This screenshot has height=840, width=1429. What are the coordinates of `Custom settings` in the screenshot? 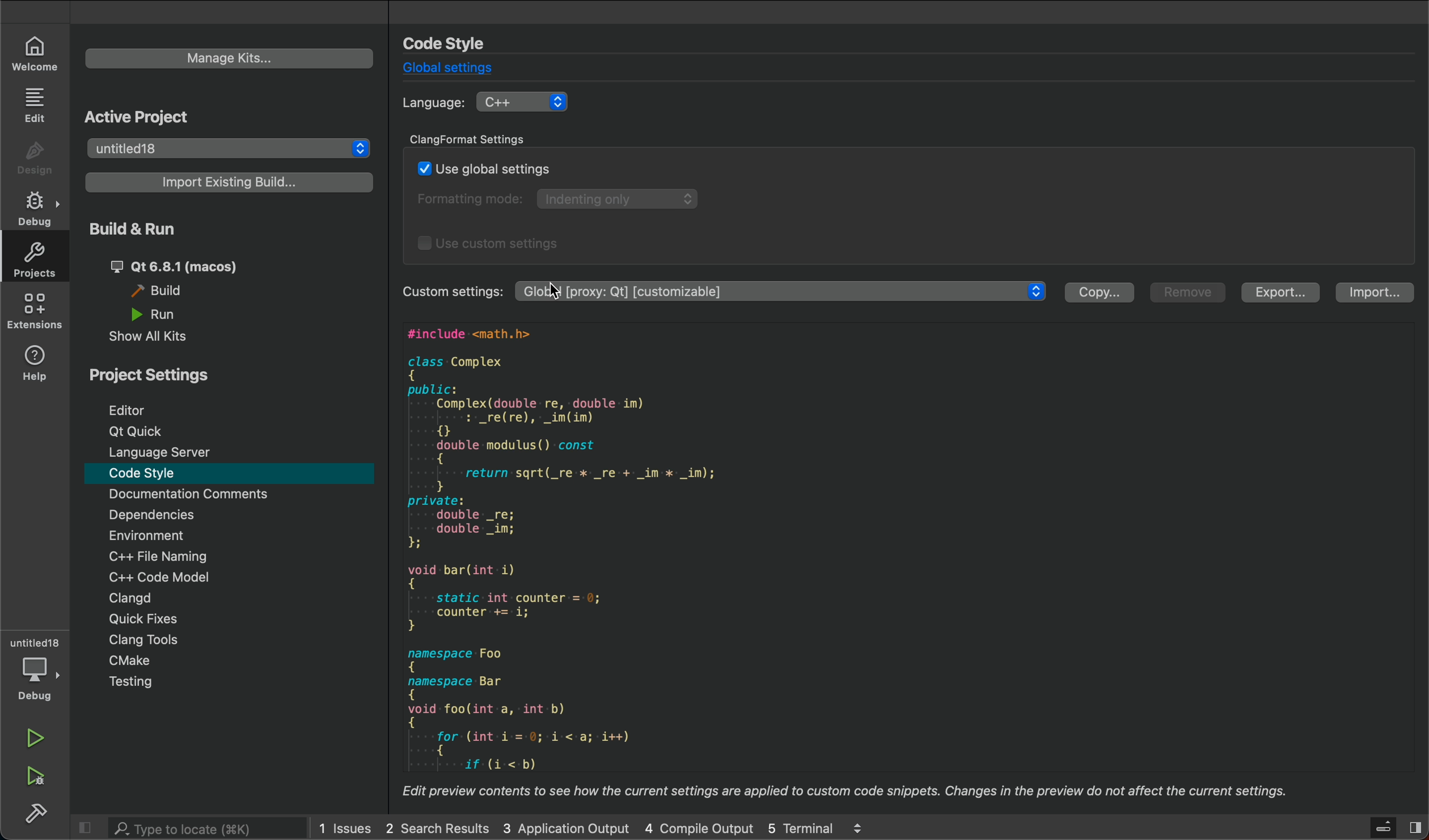 It's located at (454, 294).